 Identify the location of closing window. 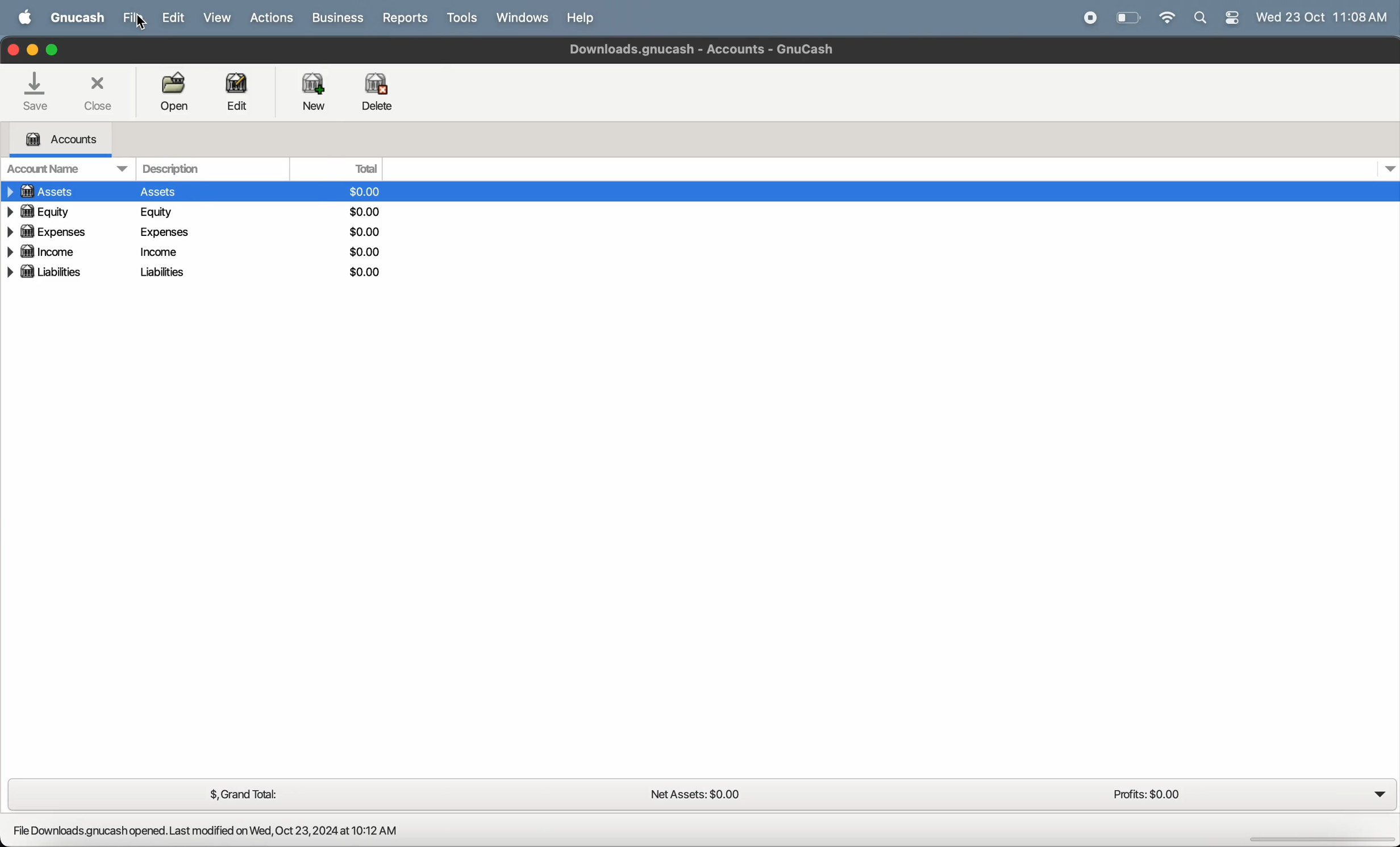
(14, 48).